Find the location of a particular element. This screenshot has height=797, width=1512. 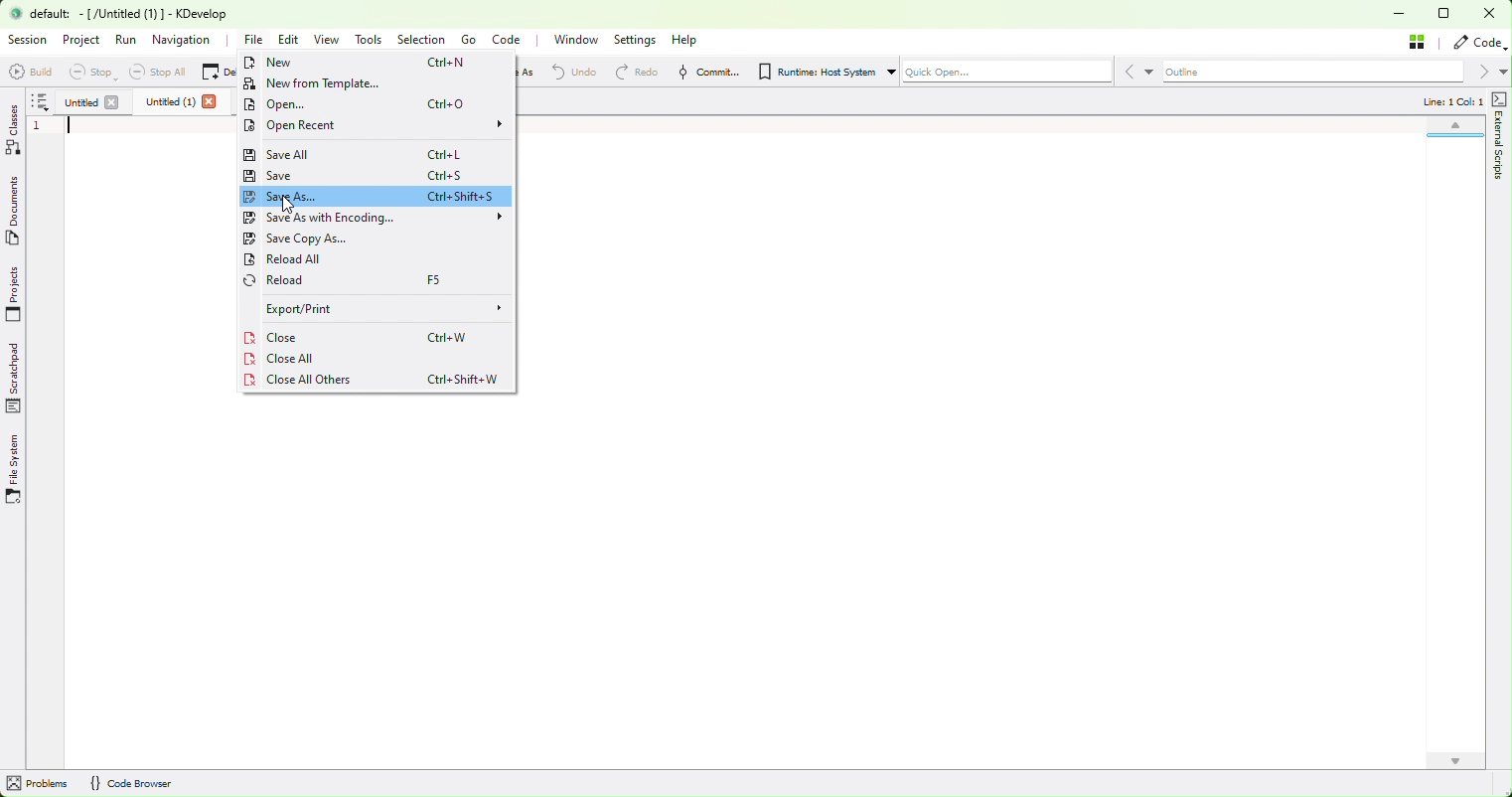

Ctrl+Shift+S is located at coordinates (462, 197).